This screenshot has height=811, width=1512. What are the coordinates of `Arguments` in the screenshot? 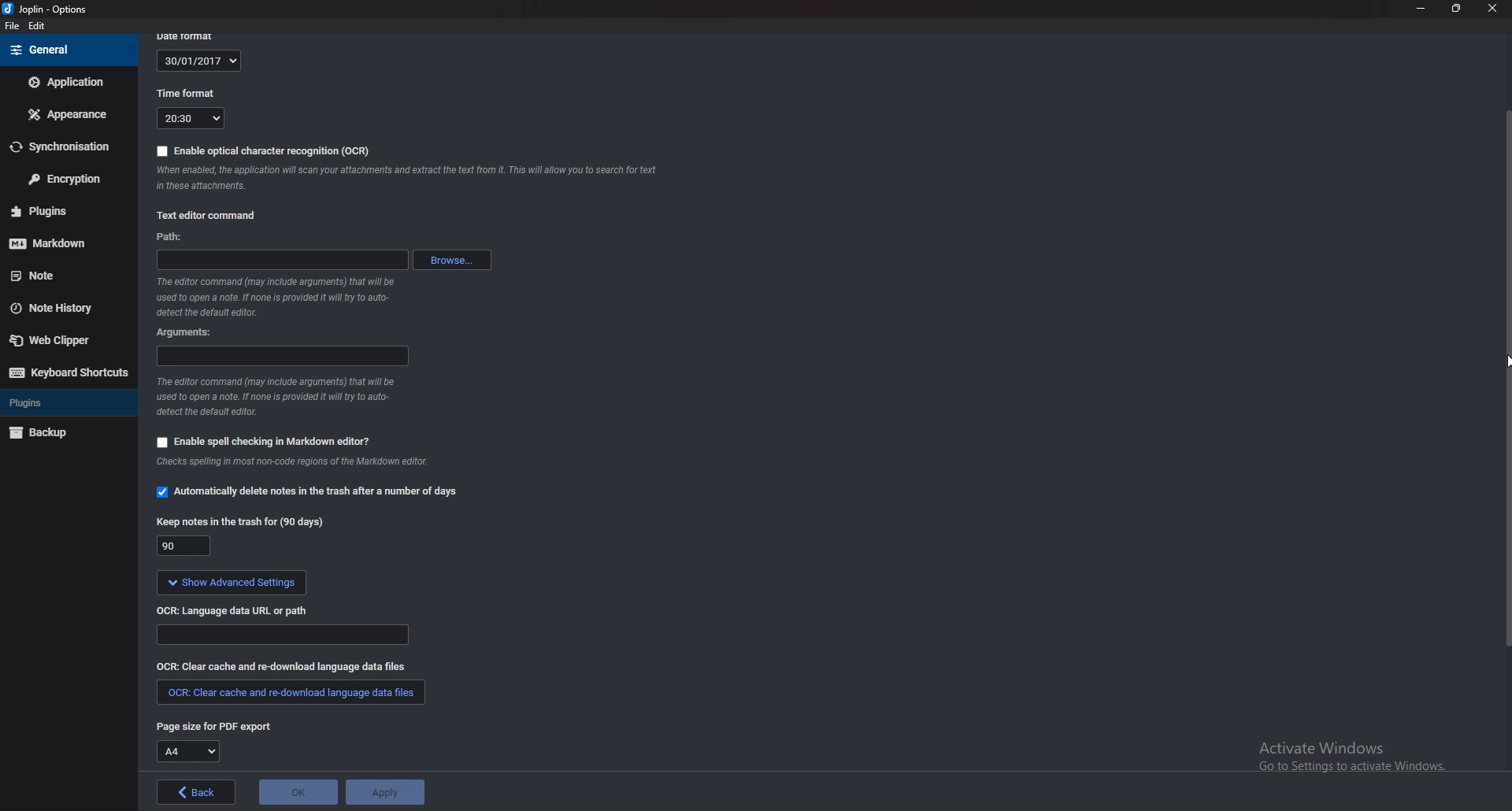 It's located at (191, 333).